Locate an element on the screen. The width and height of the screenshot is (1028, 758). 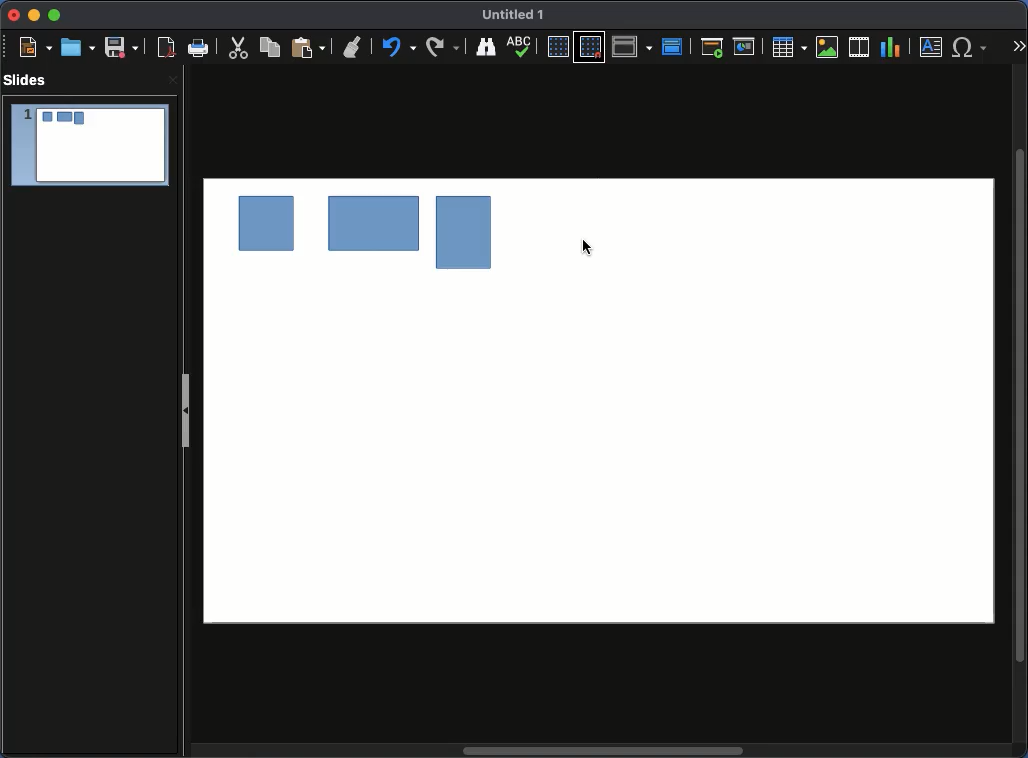
Textbox is located at coordinates (931, 48).